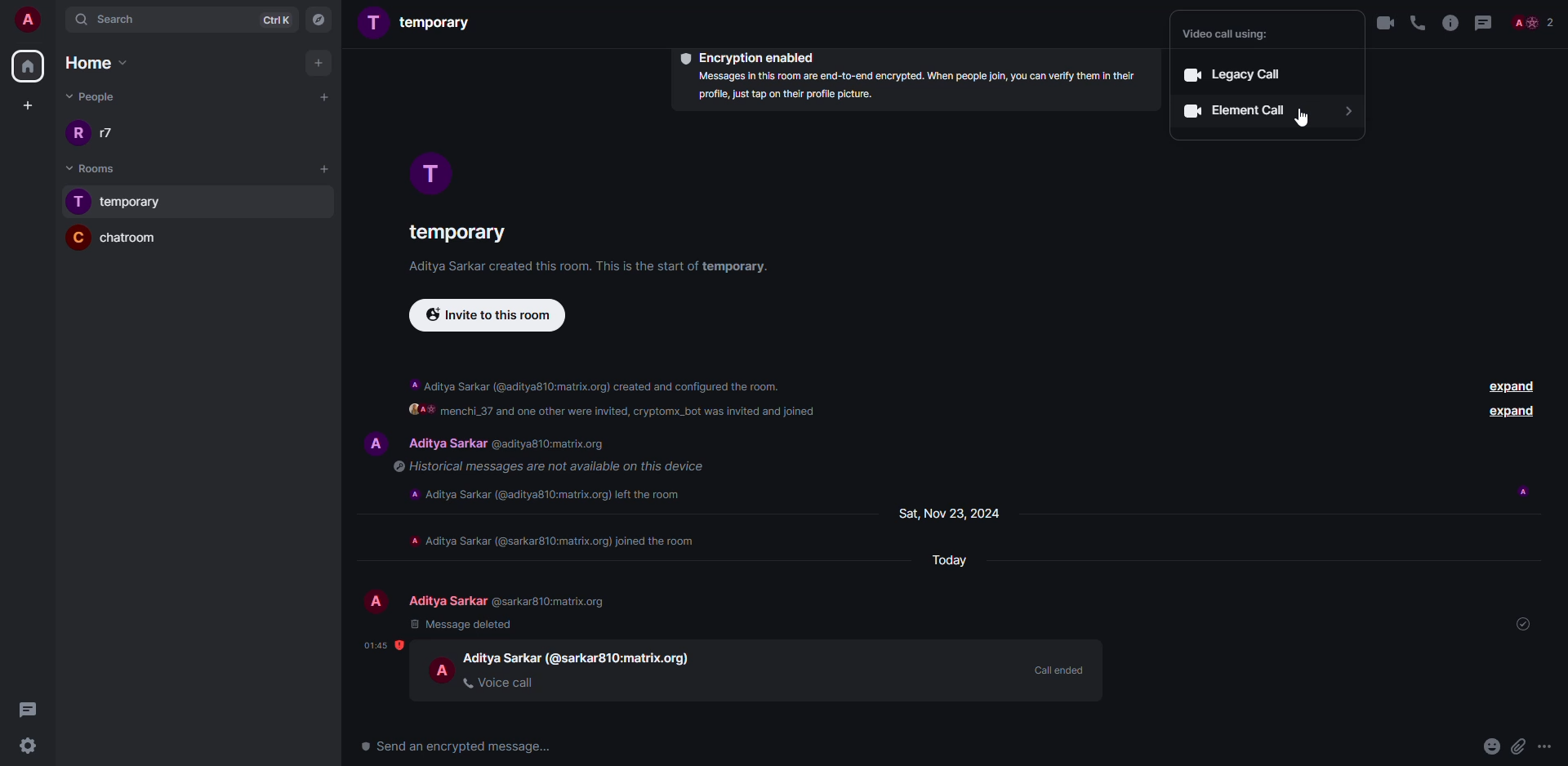 Image resolution: width=1568 pixels, height=766 pixels. Describe the element at coordinates (1512, 412) in the screenshot. I see `expand` at that location.